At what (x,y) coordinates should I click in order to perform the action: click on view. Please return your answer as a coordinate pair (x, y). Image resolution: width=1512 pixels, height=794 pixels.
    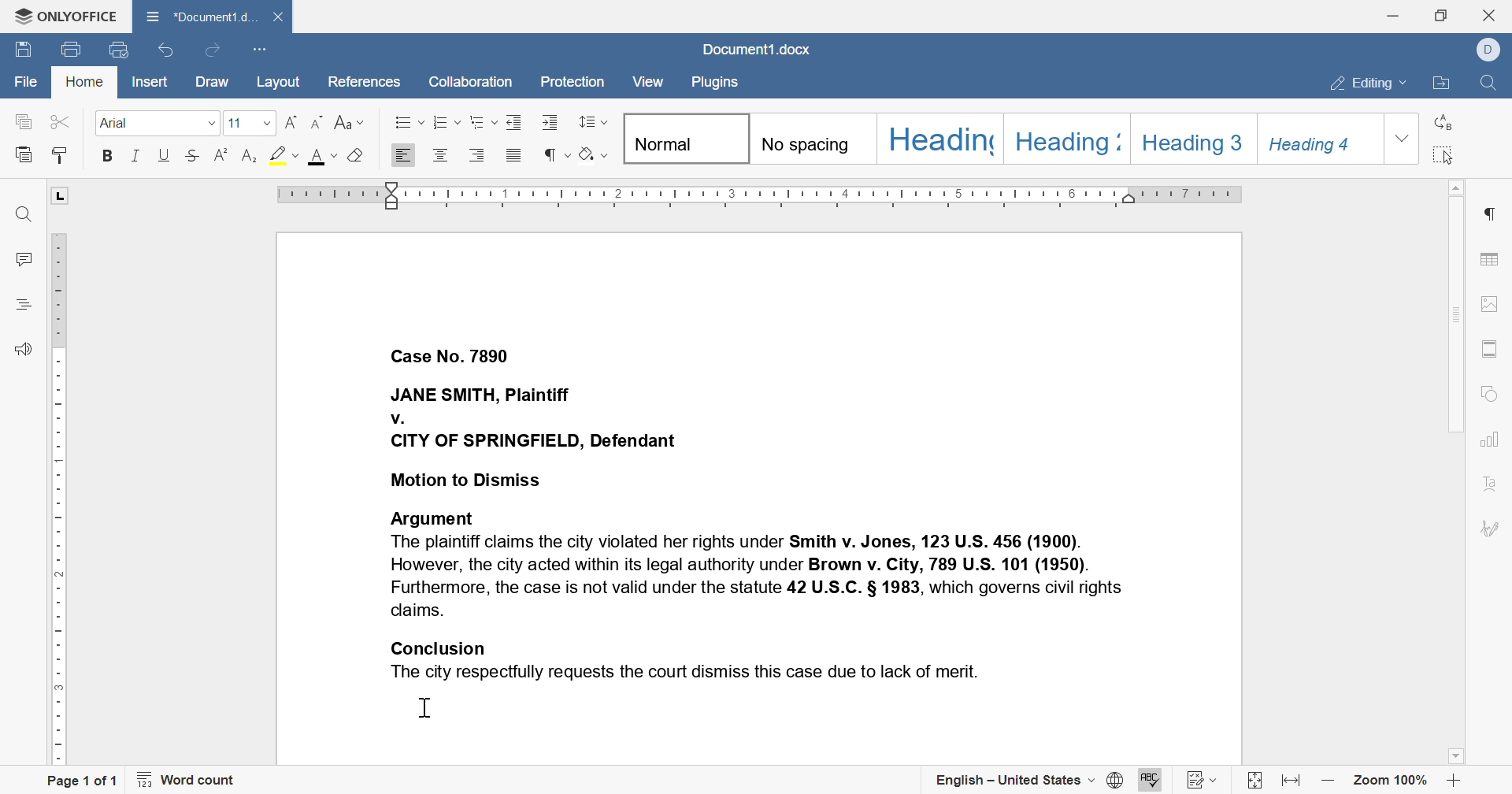
    Looking at the image, I should click on (648, 81).